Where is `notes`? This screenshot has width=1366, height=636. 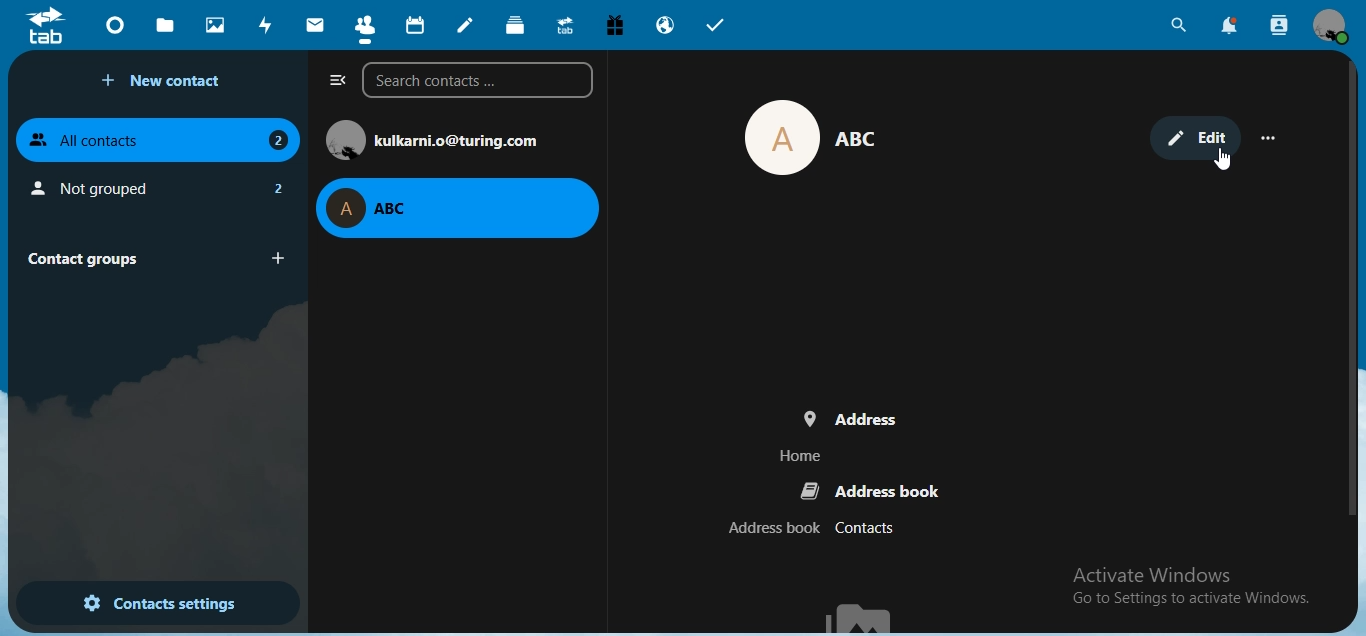 notes is located at coordinates (467, 25).